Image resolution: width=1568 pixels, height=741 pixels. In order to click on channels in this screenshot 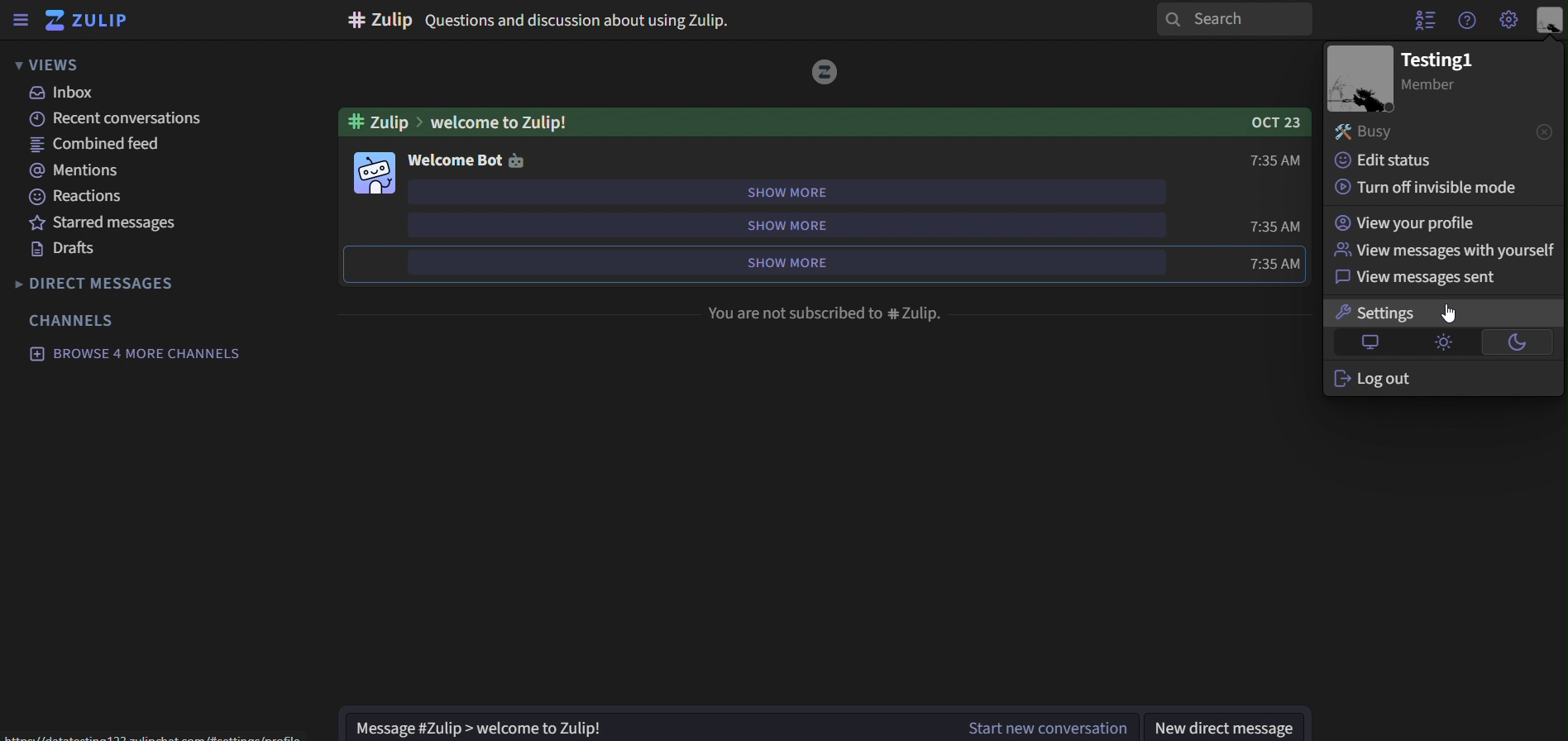, I will do `click(74, 320)`.